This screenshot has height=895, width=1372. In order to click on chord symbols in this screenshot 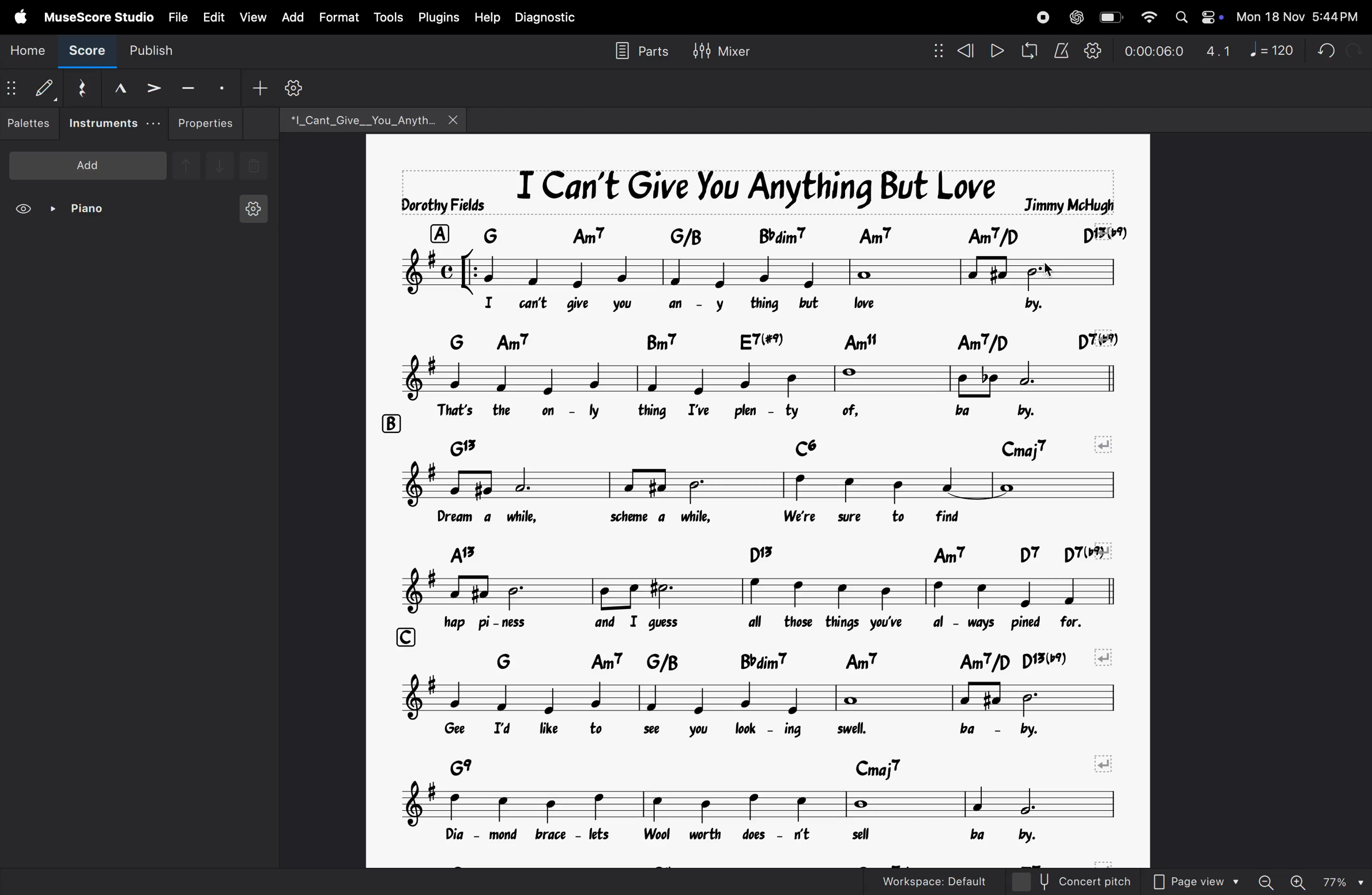, I will do `click(772, 764)`.